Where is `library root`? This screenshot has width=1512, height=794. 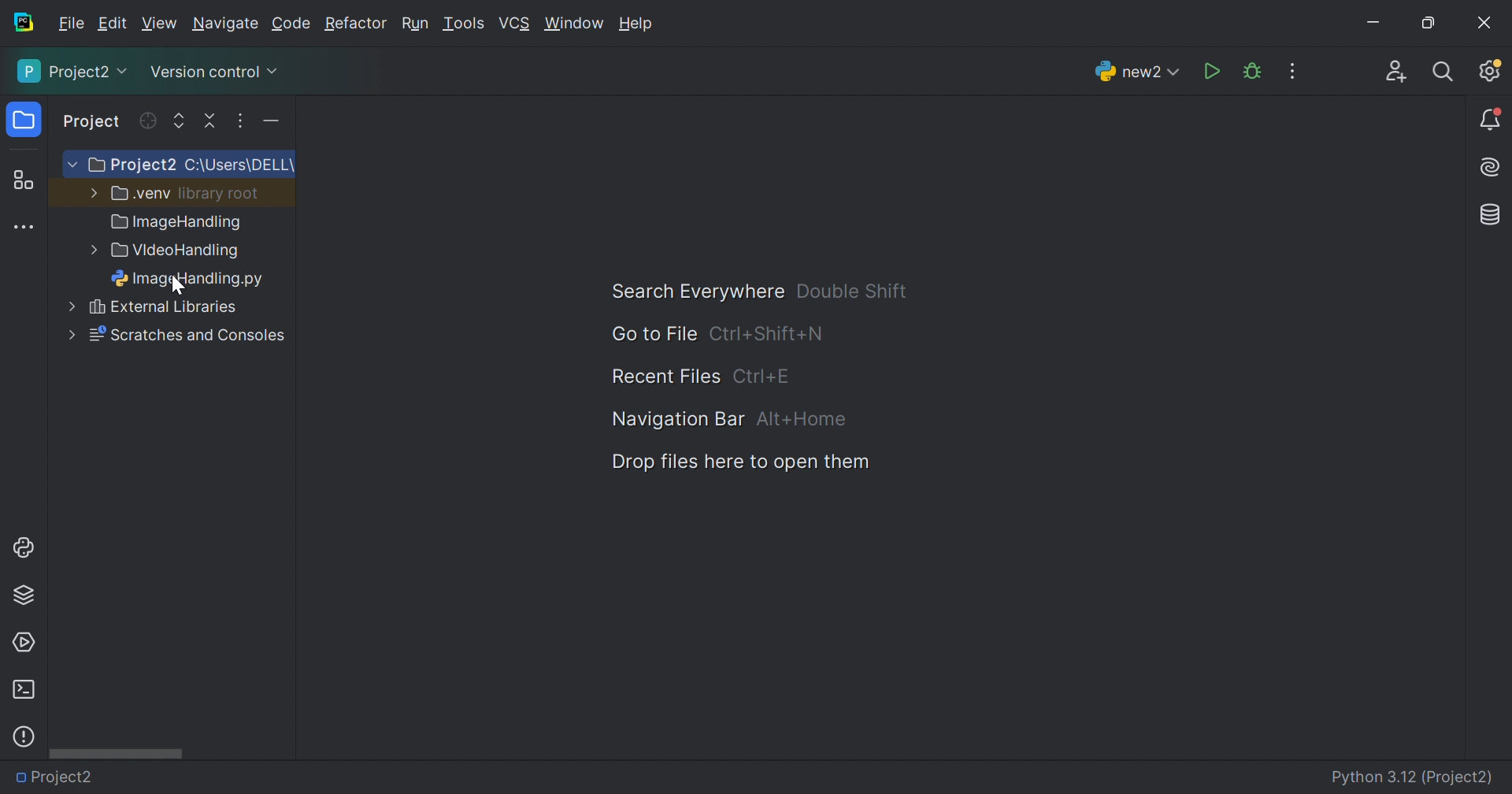
library root is located at coordinates (220, 193).